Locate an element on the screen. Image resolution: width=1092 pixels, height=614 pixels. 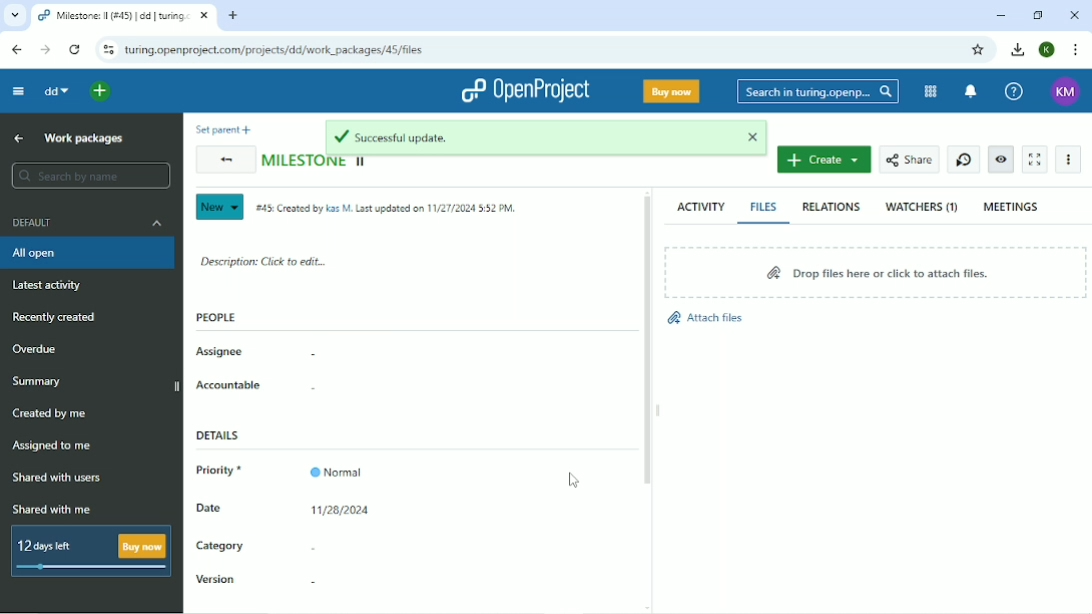
Restore down is located at coordinates (1040, 15).